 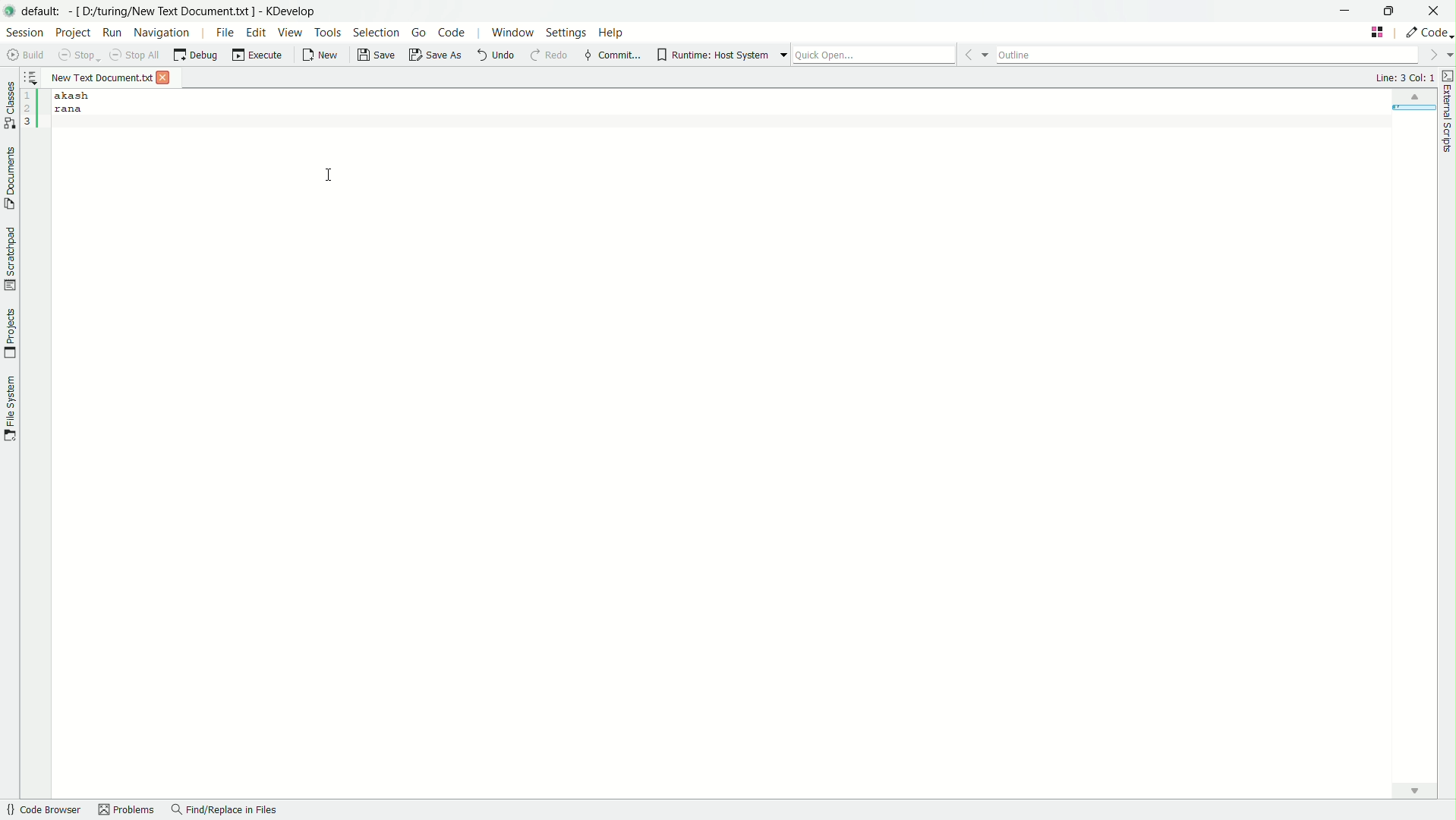 What do you see at coordinates (10, 12) in the screenshot?
I see `app icon` at bounding box center [10, 12].